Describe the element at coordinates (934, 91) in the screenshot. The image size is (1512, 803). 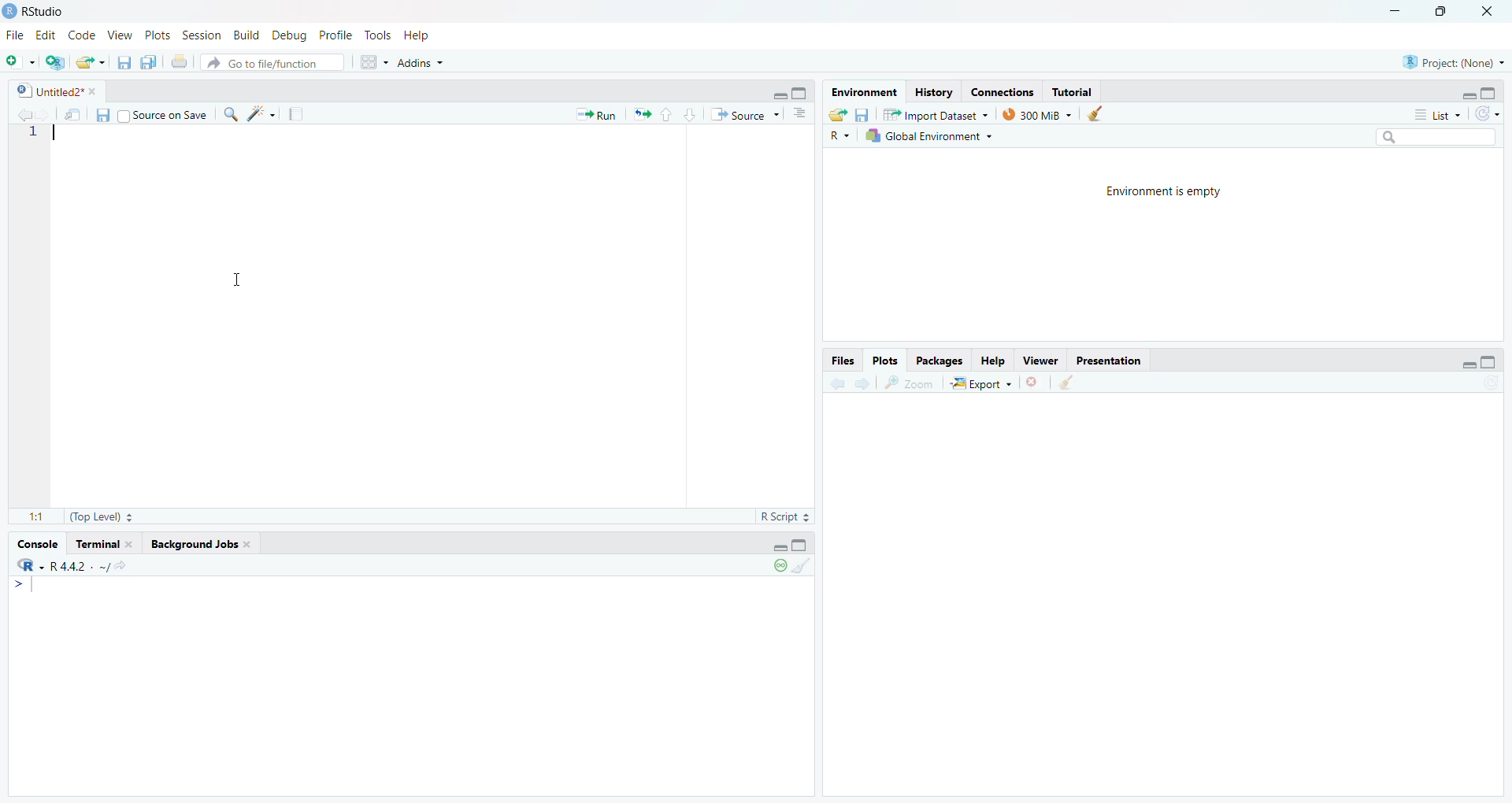
I see `History` at that location.